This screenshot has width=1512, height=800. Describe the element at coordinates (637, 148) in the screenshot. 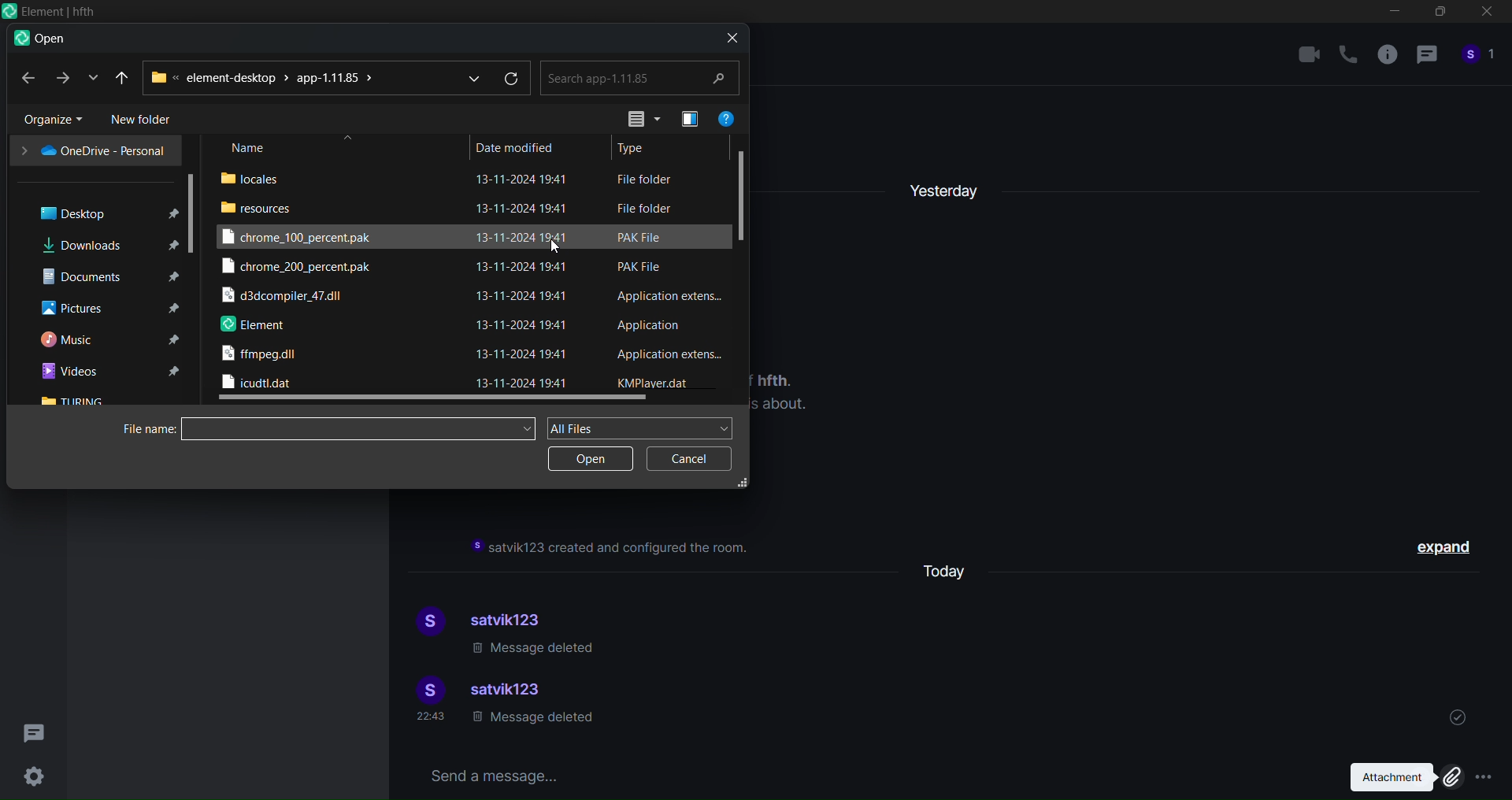

I see `type` at that location.